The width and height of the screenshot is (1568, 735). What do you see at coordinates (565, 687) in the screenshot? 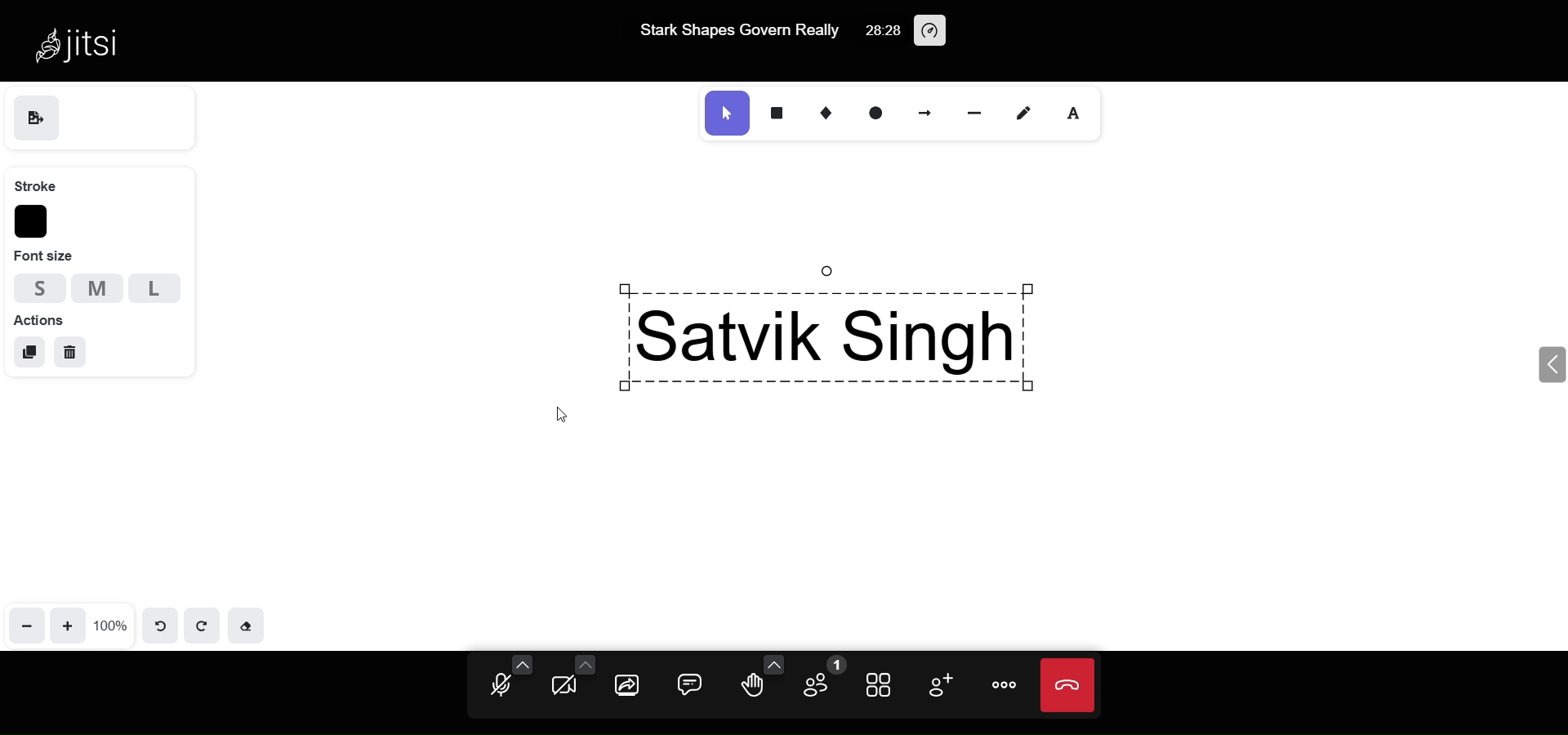
I see `camera` at bounding box center [565, 687].